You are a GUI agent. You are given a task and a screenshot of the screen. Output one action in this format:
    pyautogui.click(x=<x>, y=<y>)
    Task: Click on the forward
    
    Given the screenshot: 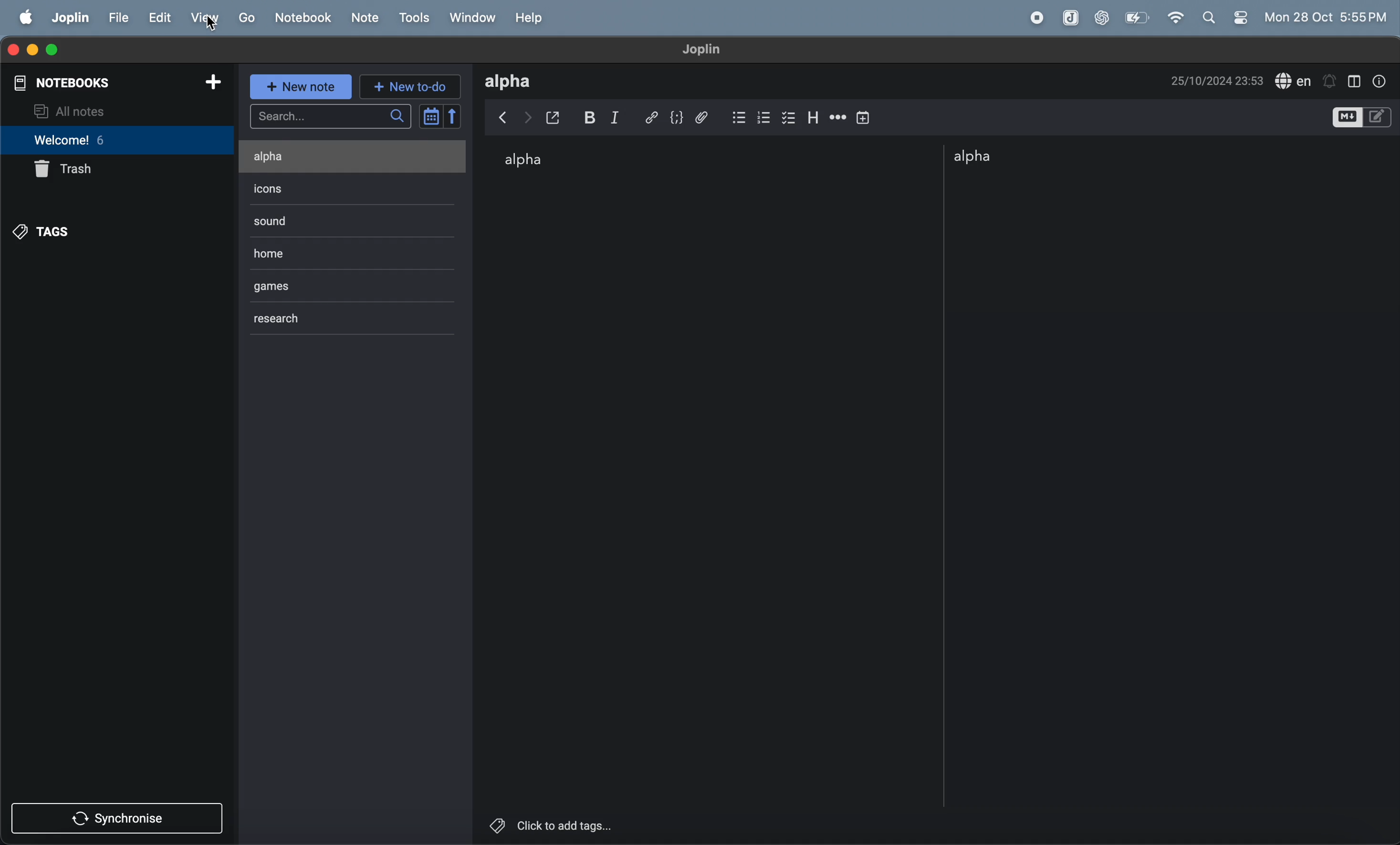 What is the action you would take?
    pyautogui.click(x=528, y=115)
    